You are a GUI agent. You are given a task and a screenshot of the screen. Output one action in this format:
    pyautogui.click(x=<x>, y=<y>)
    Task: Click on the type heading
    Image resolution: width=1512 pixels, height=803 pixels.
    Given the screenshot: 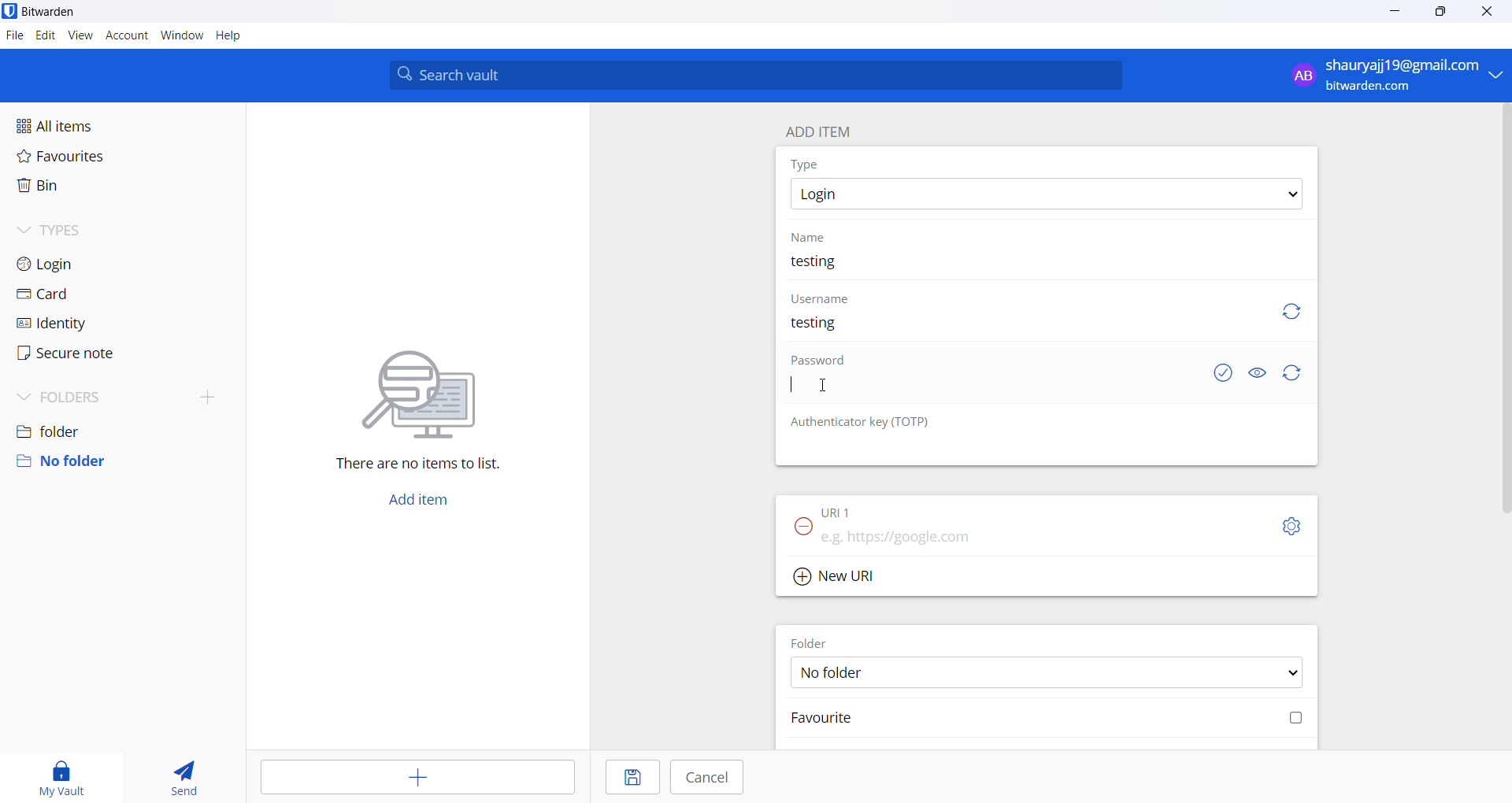 What is the action you would take?
    pyautogui.click(x=806, y=164)
    